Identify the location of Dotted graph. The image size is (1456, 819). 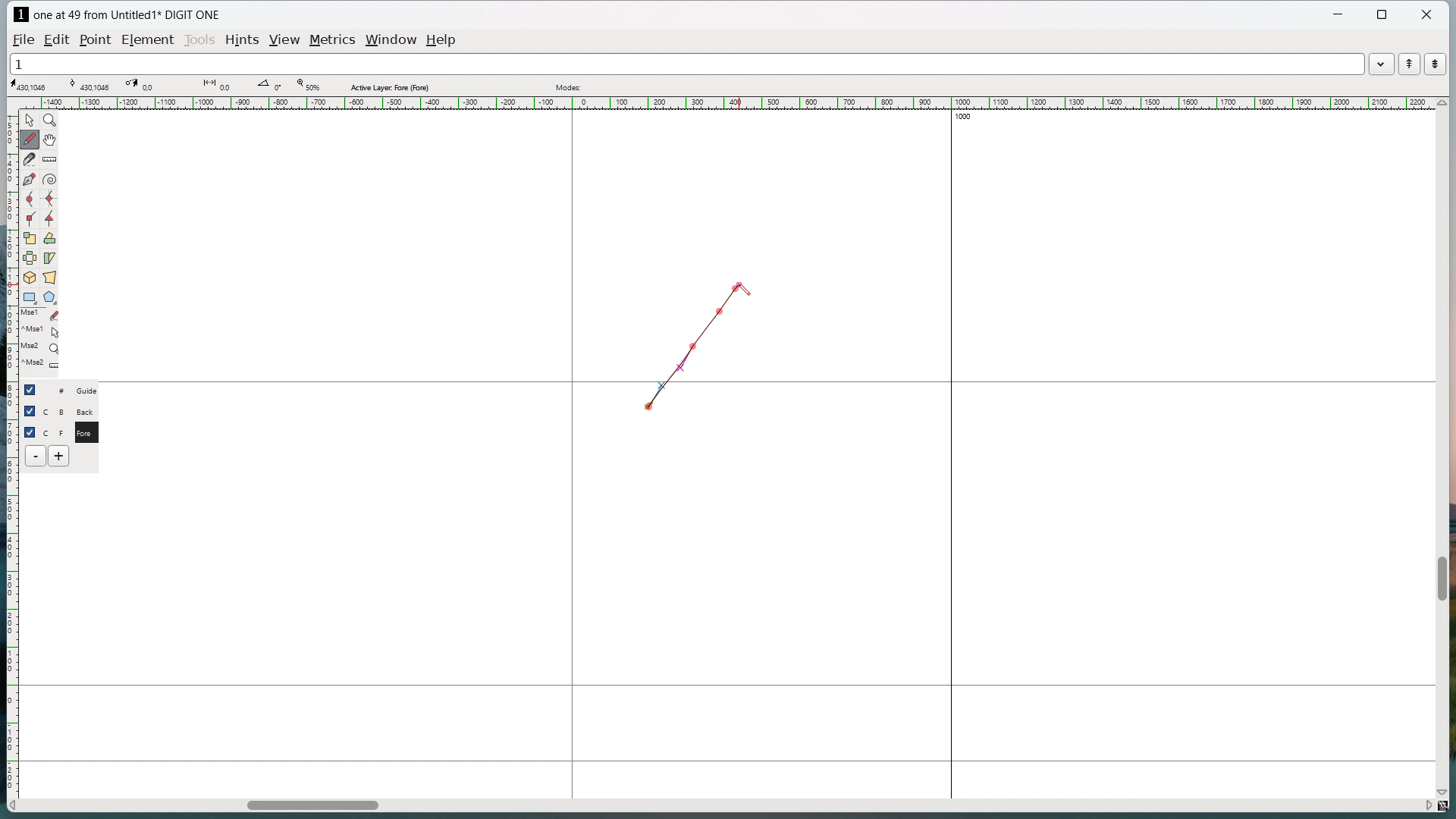
(682, 348).